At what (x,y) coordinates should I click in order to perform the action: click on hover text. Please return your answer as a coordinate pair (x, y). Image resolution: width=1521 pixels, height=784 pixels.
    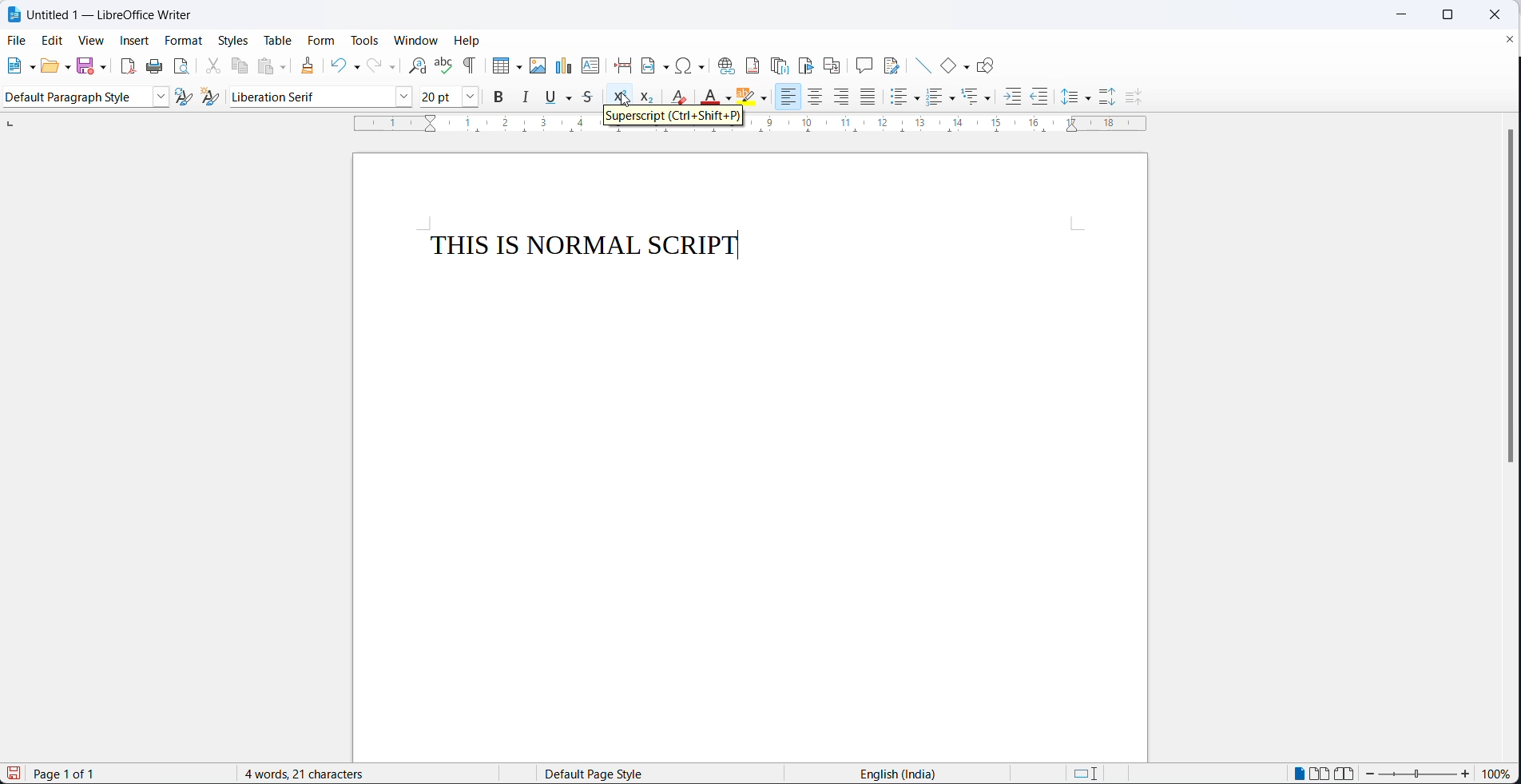
    Looking at the image, I should click on (671, 119).